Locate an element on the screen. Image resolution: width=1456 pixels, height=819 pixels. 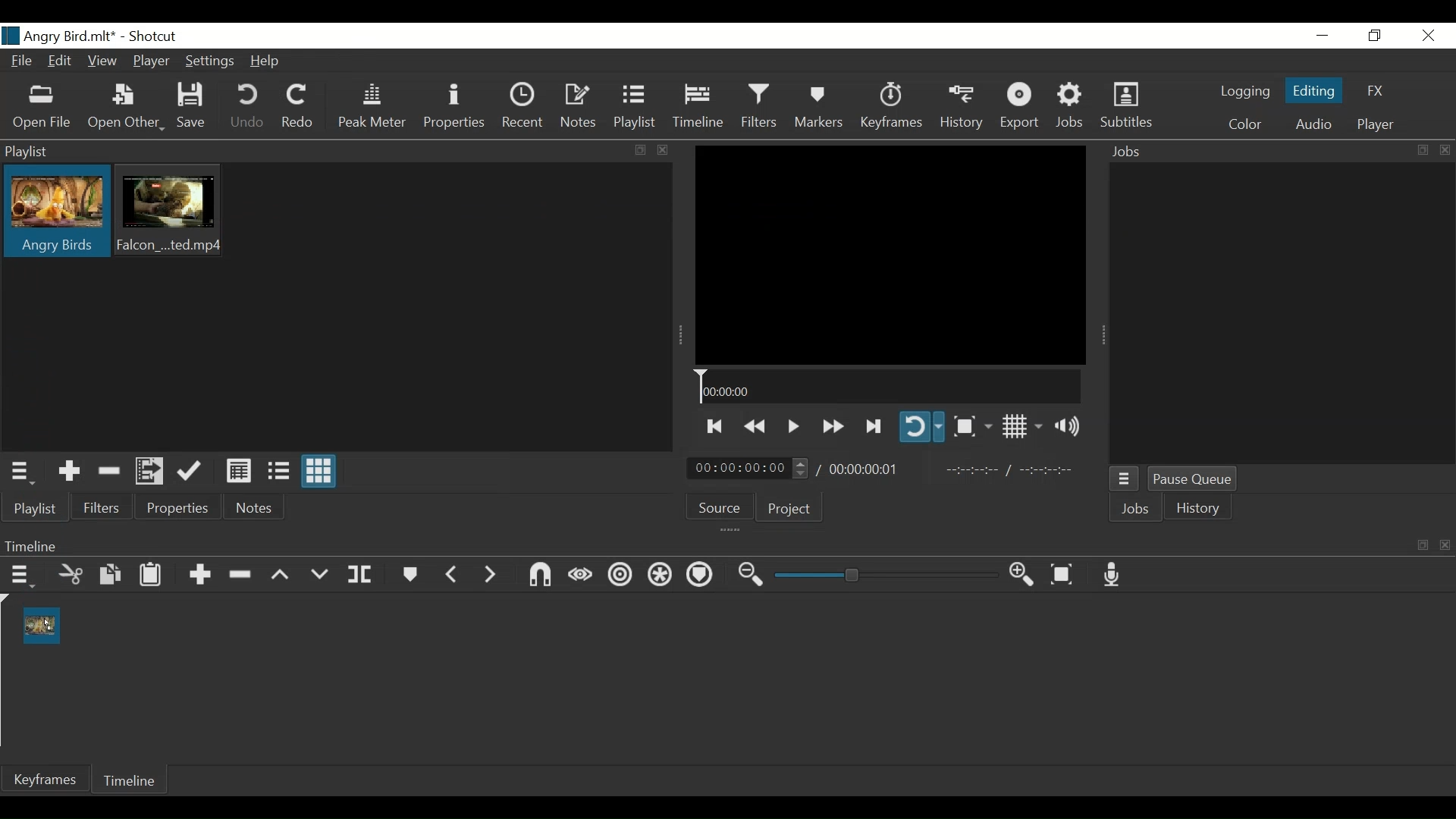
Media Viewer is located at coordinates (890, 255).